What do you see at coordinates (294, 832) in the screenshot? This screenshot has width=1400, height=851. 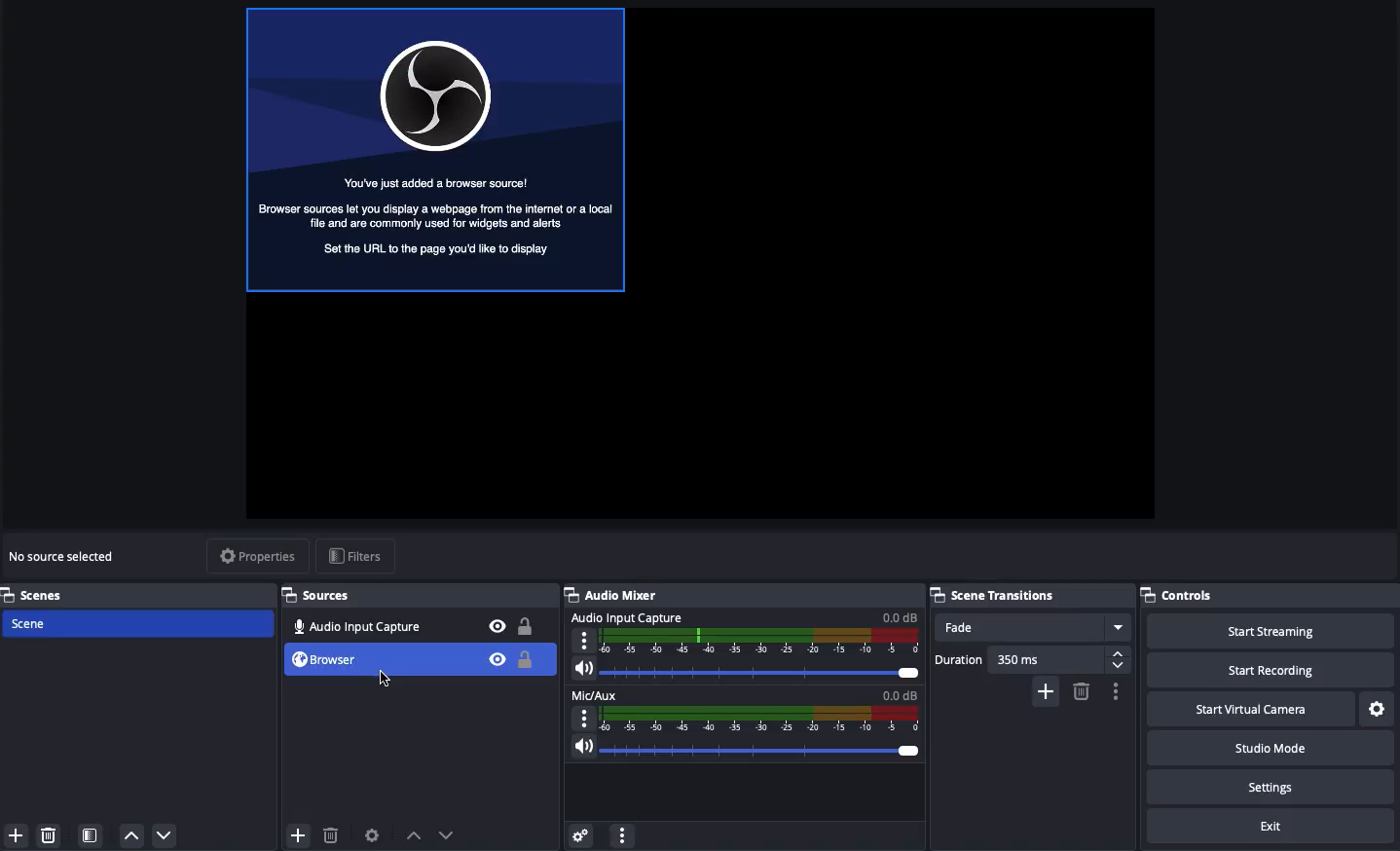 I see `Add` at bounding box center [294, 832].